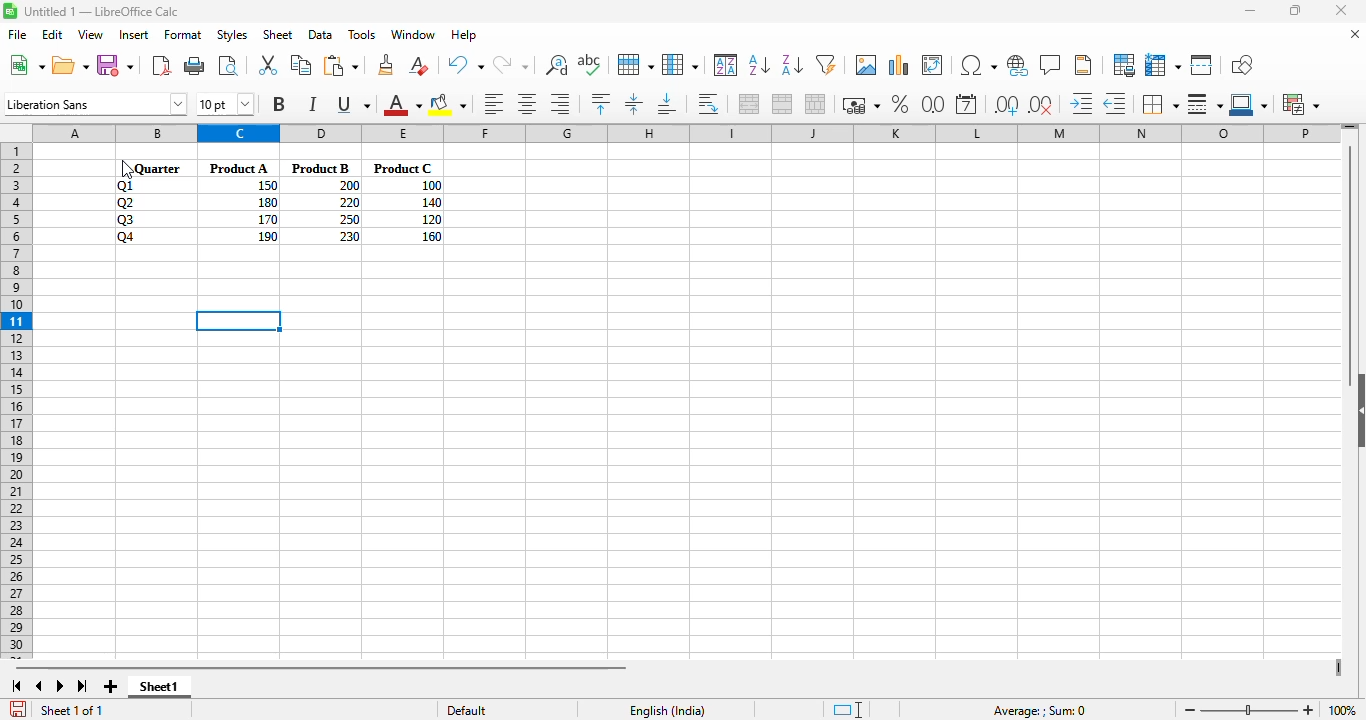  What do you see at coordinates (680, 64) in the screenshot?
I see `column` at bounding box center [680, 64].